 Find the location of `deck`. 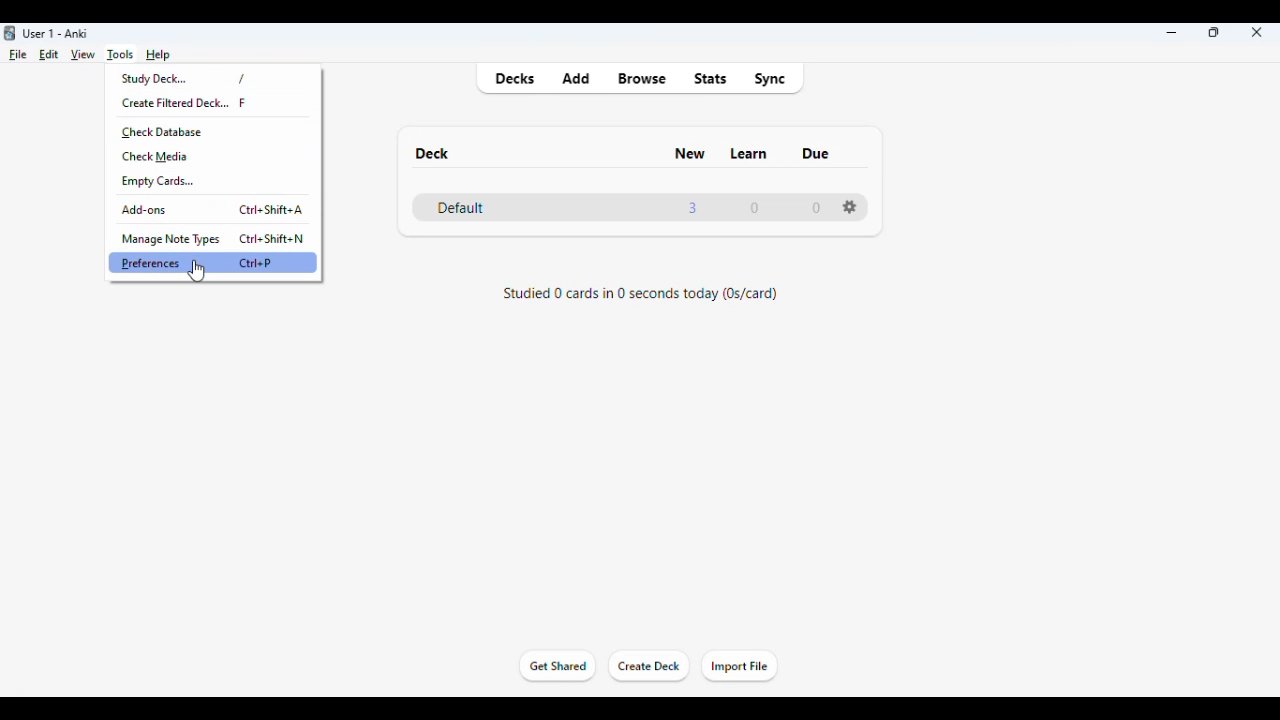

deck is located at coordinates (430, 153).